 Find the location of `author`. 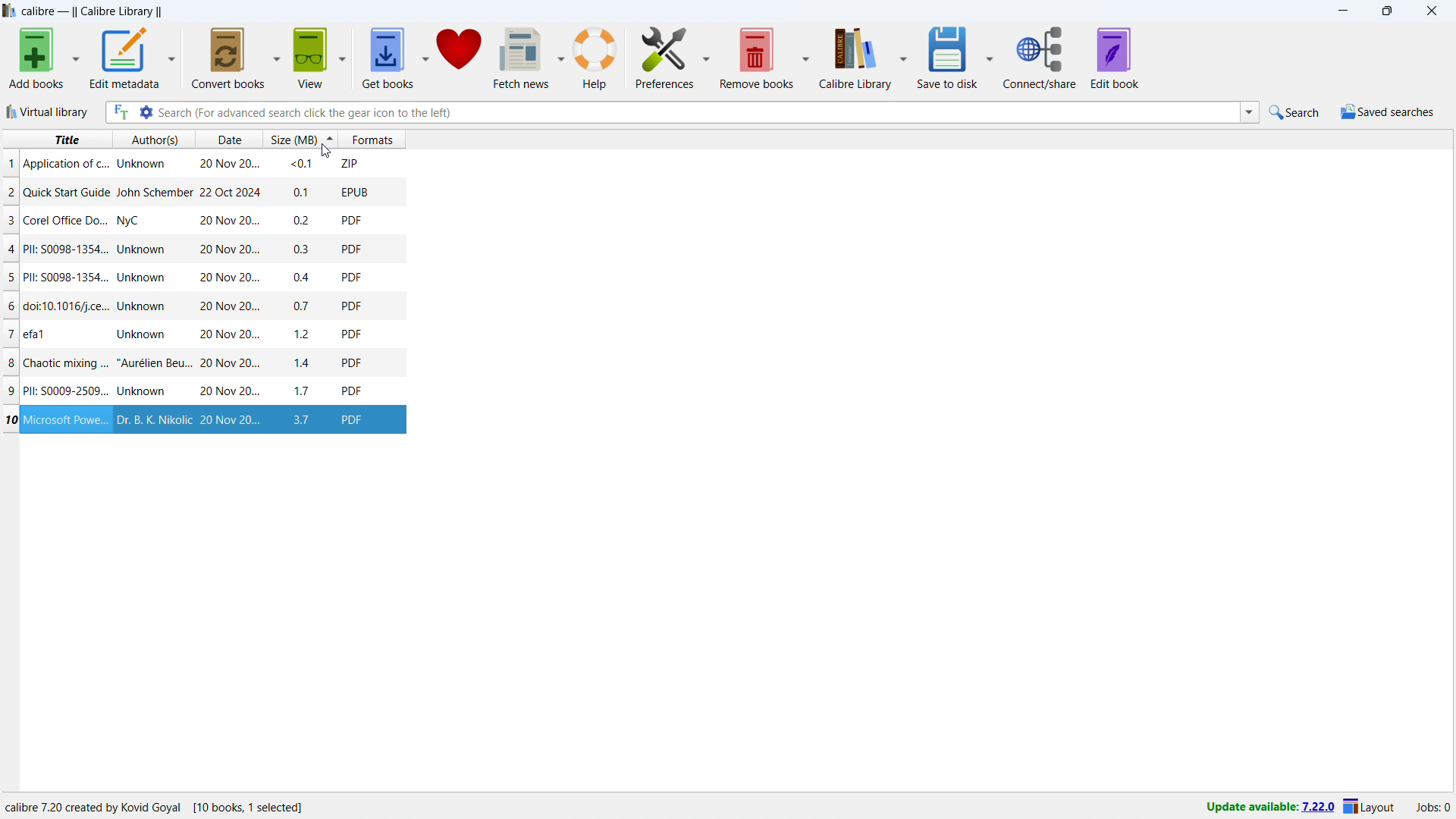

author is located at coordinates (143, 278).